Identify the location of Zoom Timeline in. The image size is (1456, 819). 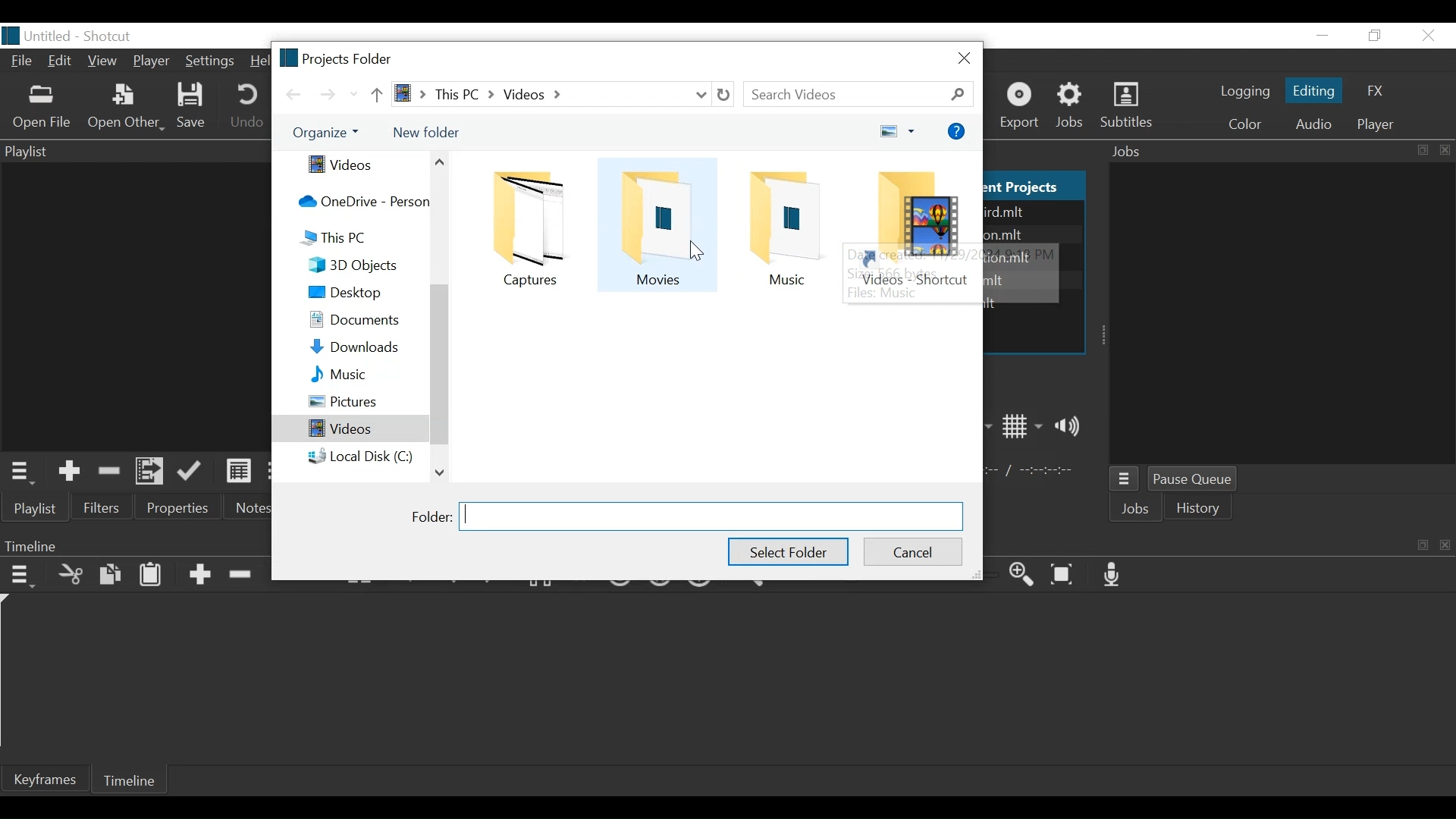
(1021, 575).